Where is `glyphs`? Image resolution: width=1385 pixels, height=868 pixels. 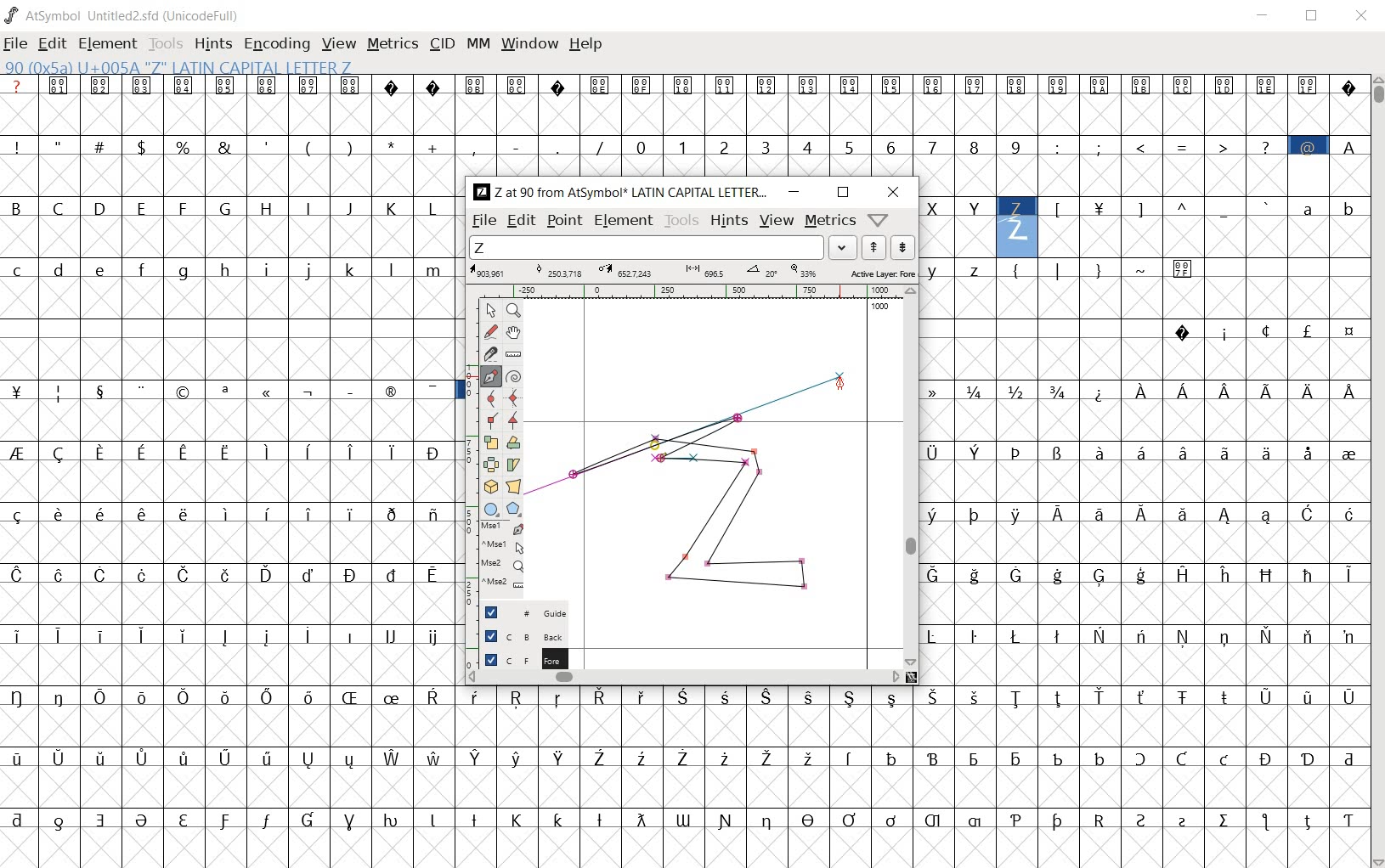 glyphs is located at coordinates (229, 462).